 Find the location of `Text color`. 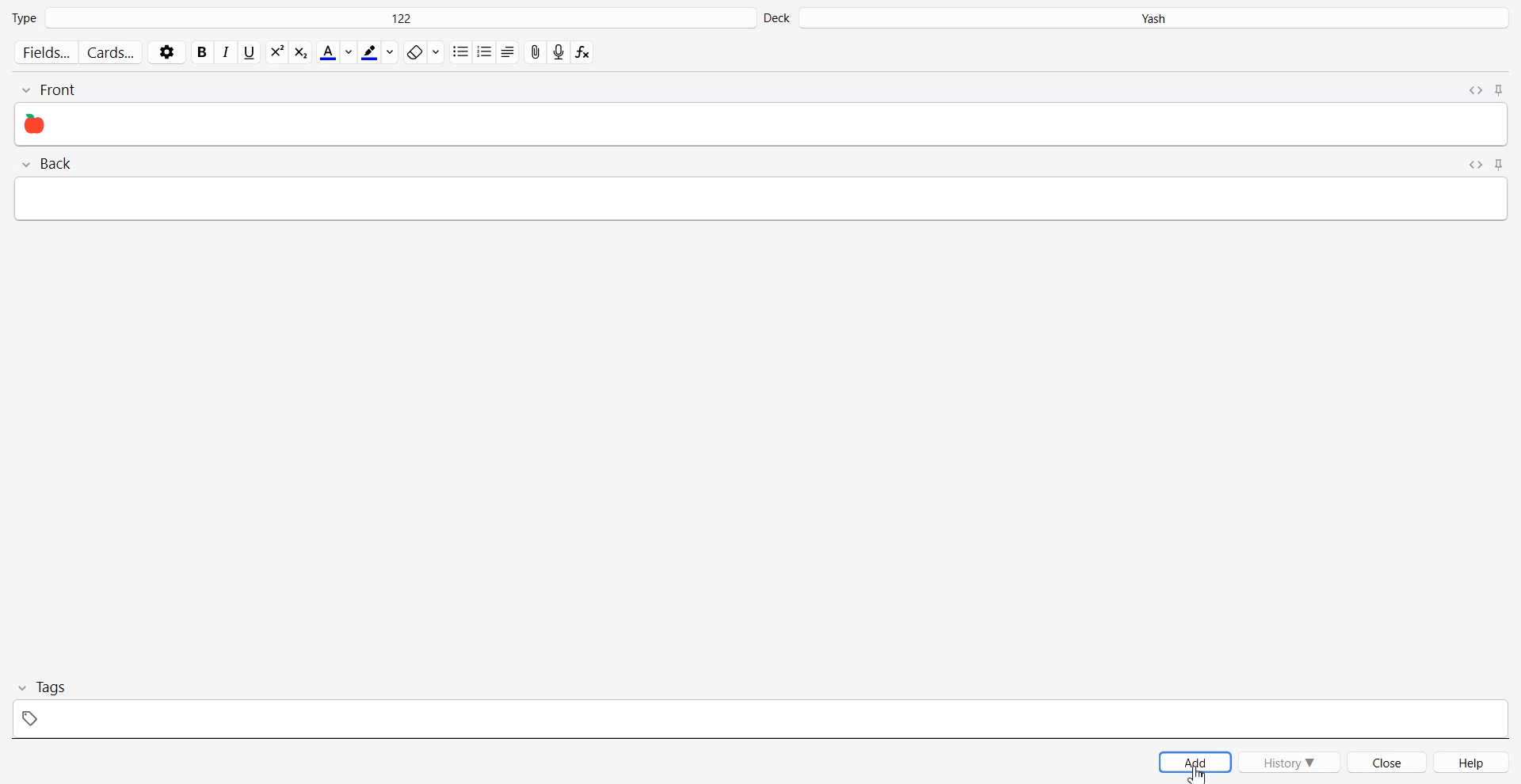

Text color is located at coordinates (336, 51).